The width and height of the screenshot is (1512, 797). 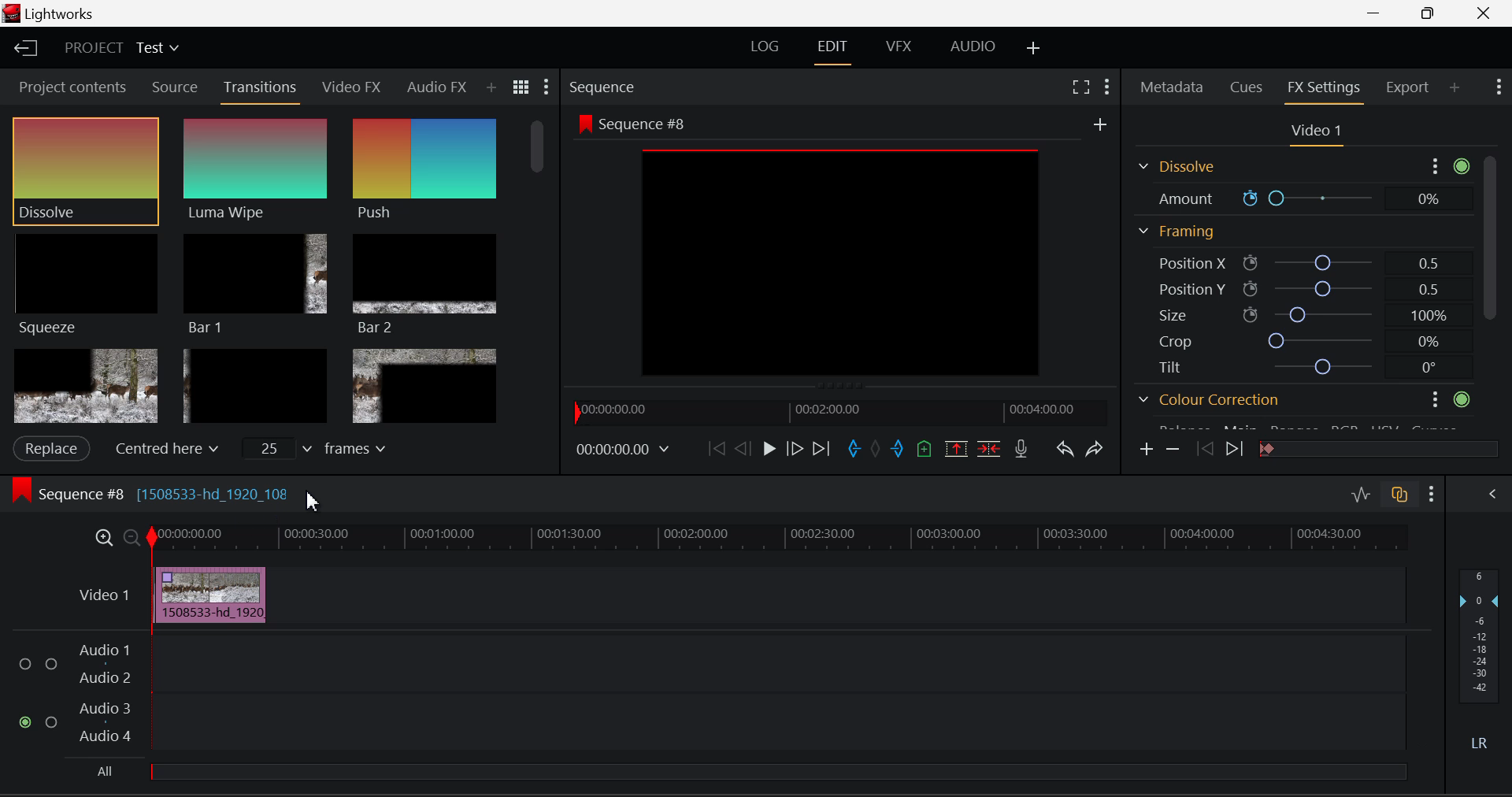 What do you see at coordinates (493, 84) in the screenshot?
I see `Search` at bounding box center [493, 84].